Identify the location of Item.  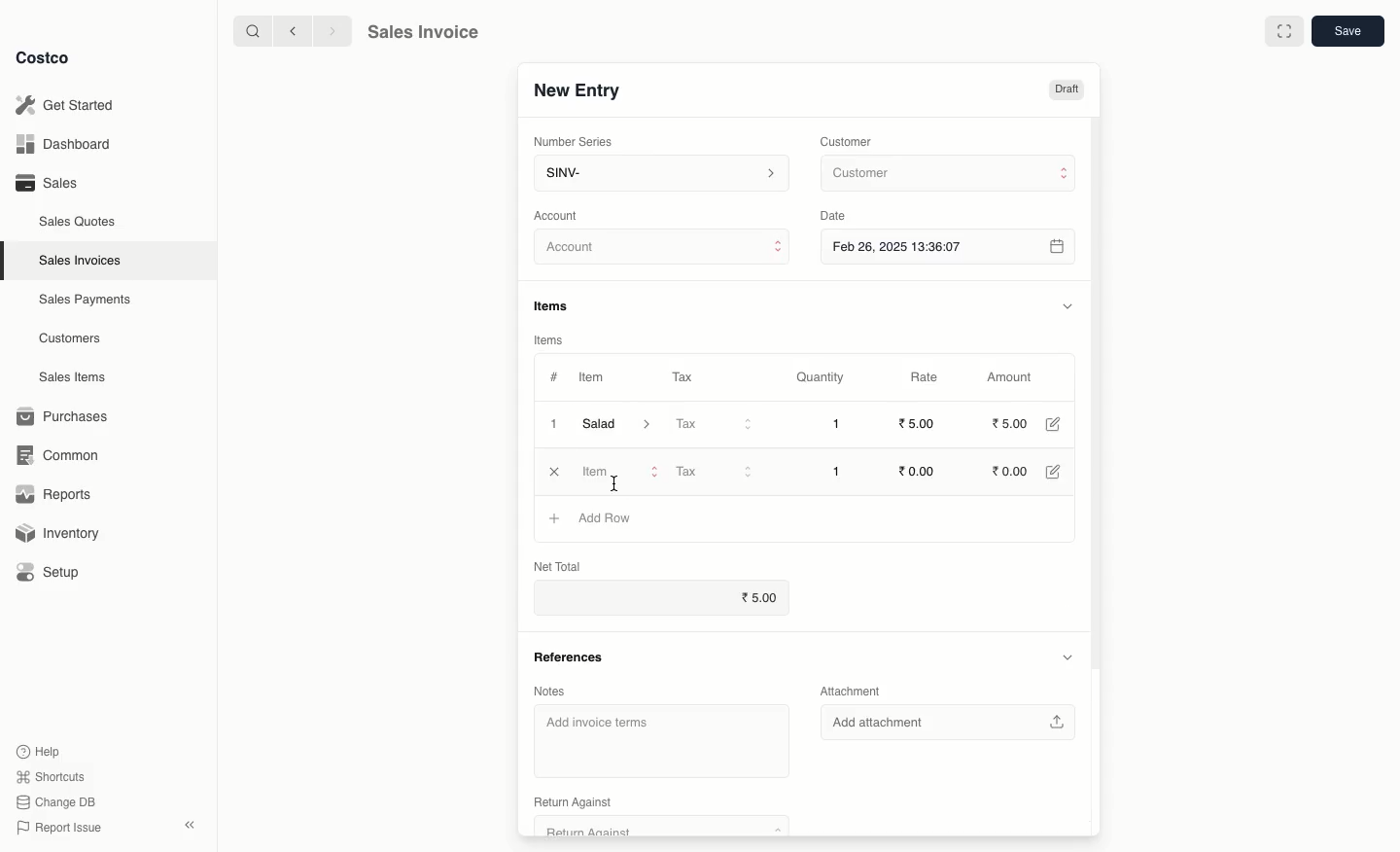
(621, 473).